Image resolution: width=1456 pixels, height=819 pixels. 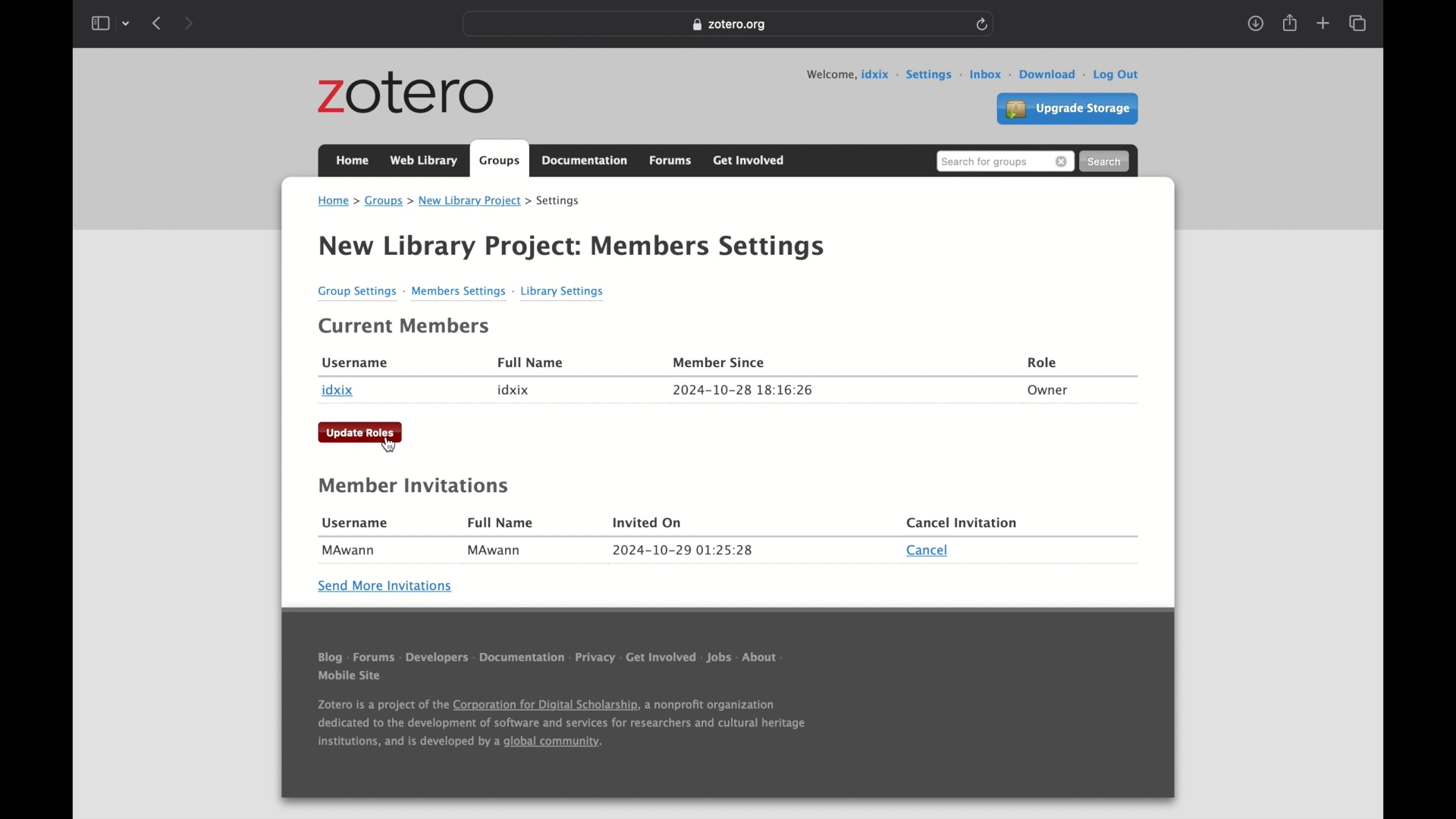 I want to click on full name, so click(x=529, y=361).